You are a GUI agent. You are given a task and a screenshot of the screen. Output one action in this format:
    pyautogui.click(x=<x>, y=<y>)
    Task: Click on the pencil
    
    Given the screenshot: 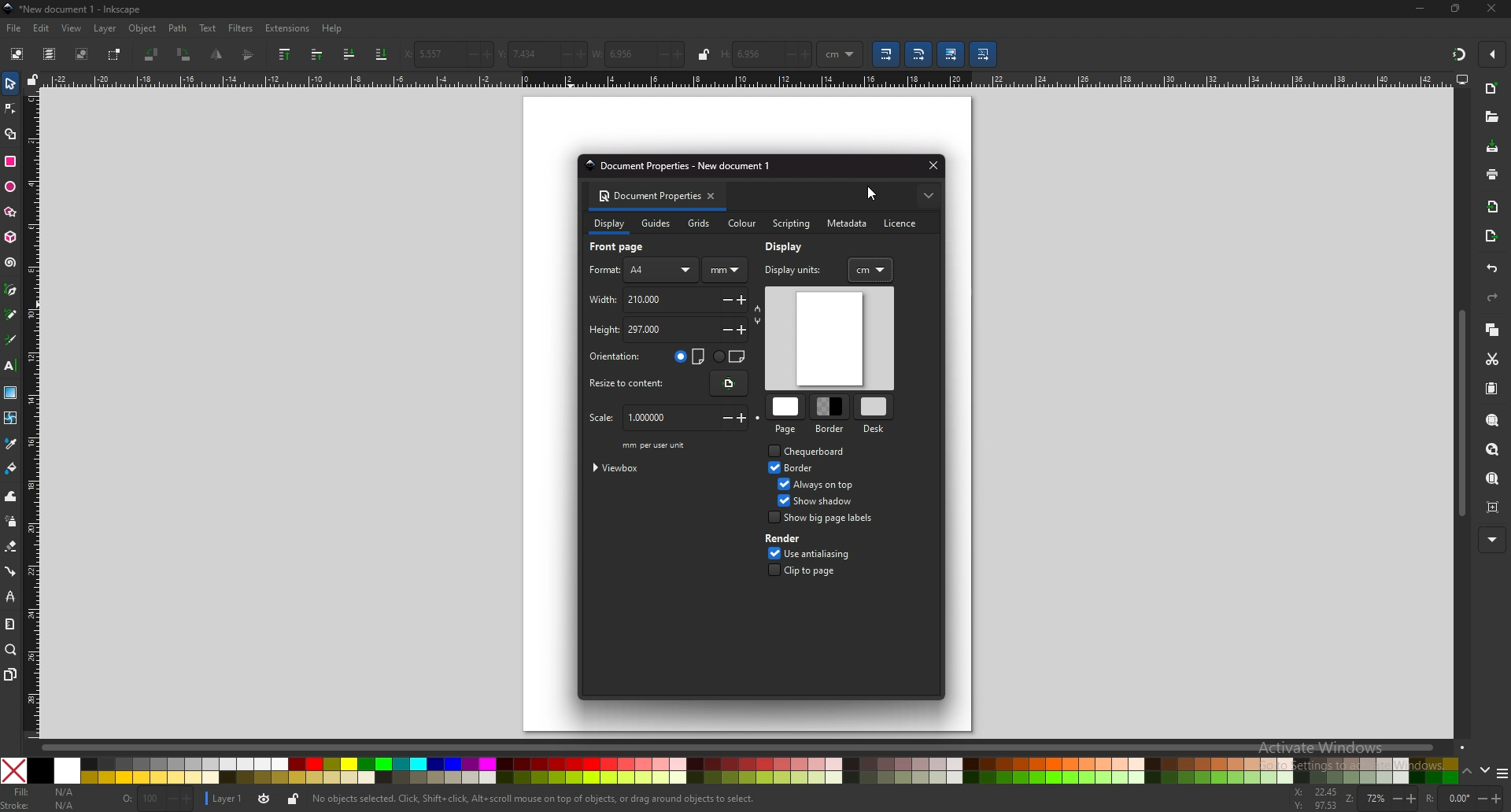 What is the action you would take?
    pyautogui.click(x=10, y=315)
    